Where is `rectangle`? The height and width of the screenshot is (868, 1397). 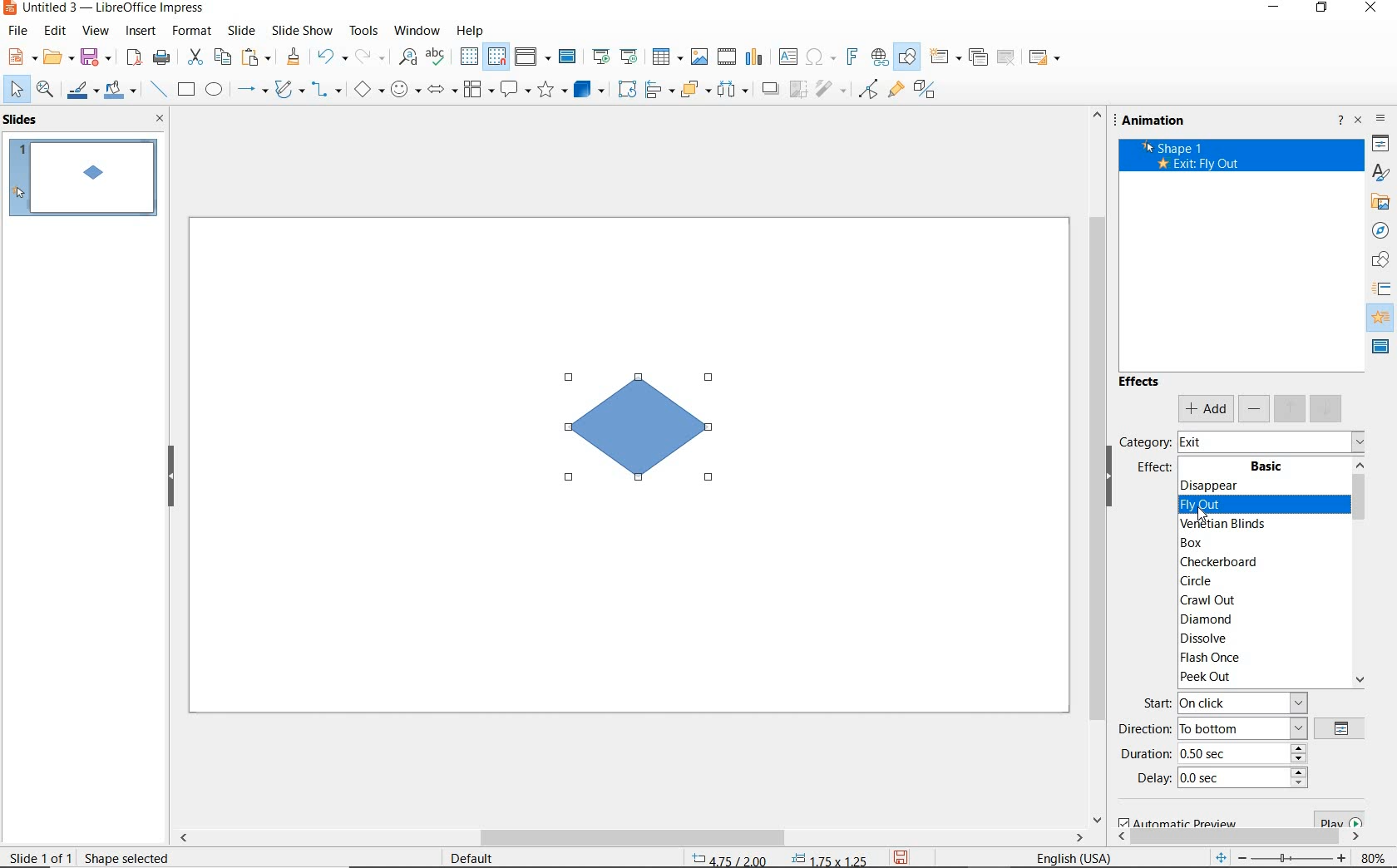 rectangle is located at coordinates (187, 89).